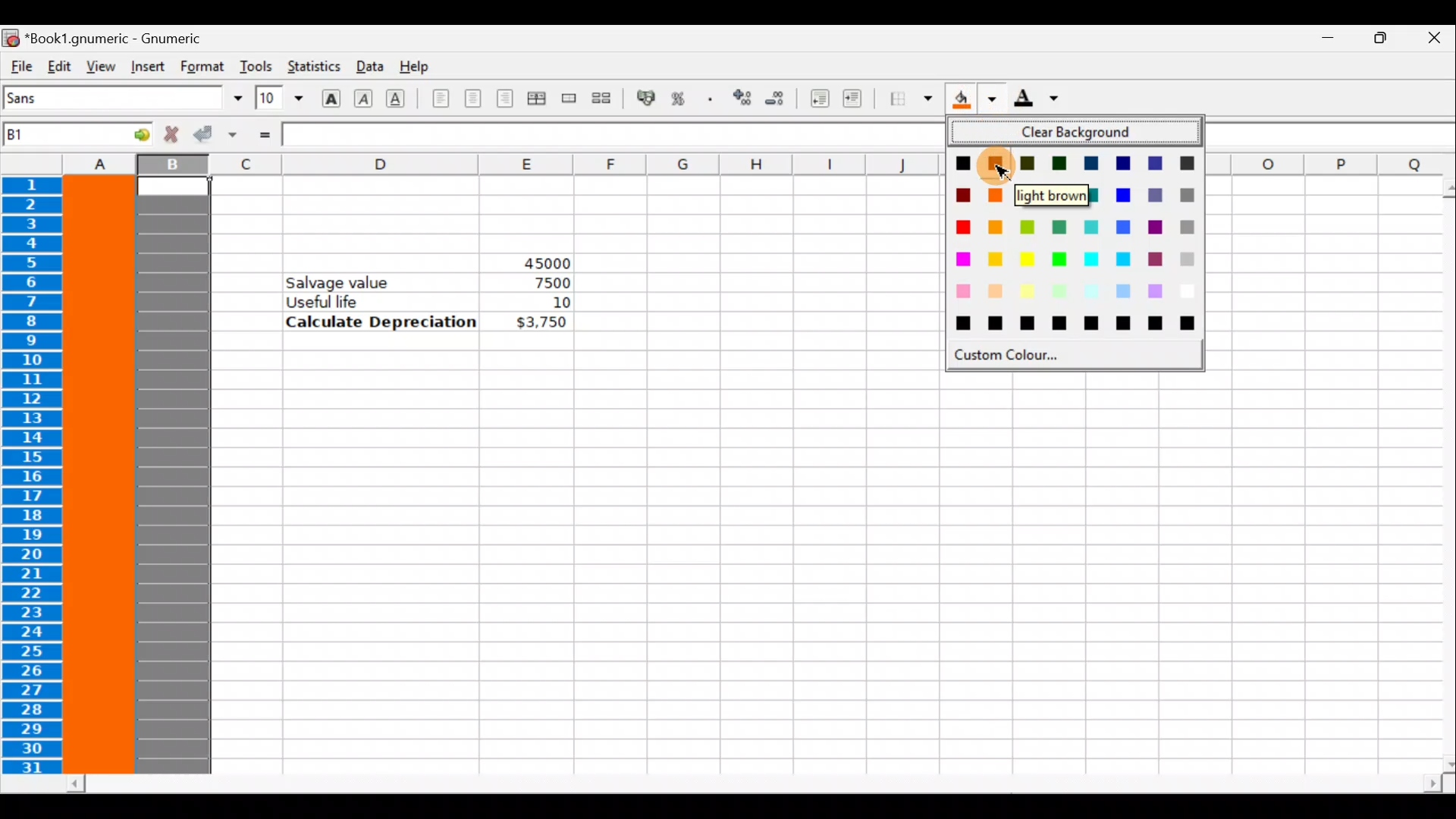 This screenshot has width=1456, height=819. I want to click on Color palette, so click(1078, 244).